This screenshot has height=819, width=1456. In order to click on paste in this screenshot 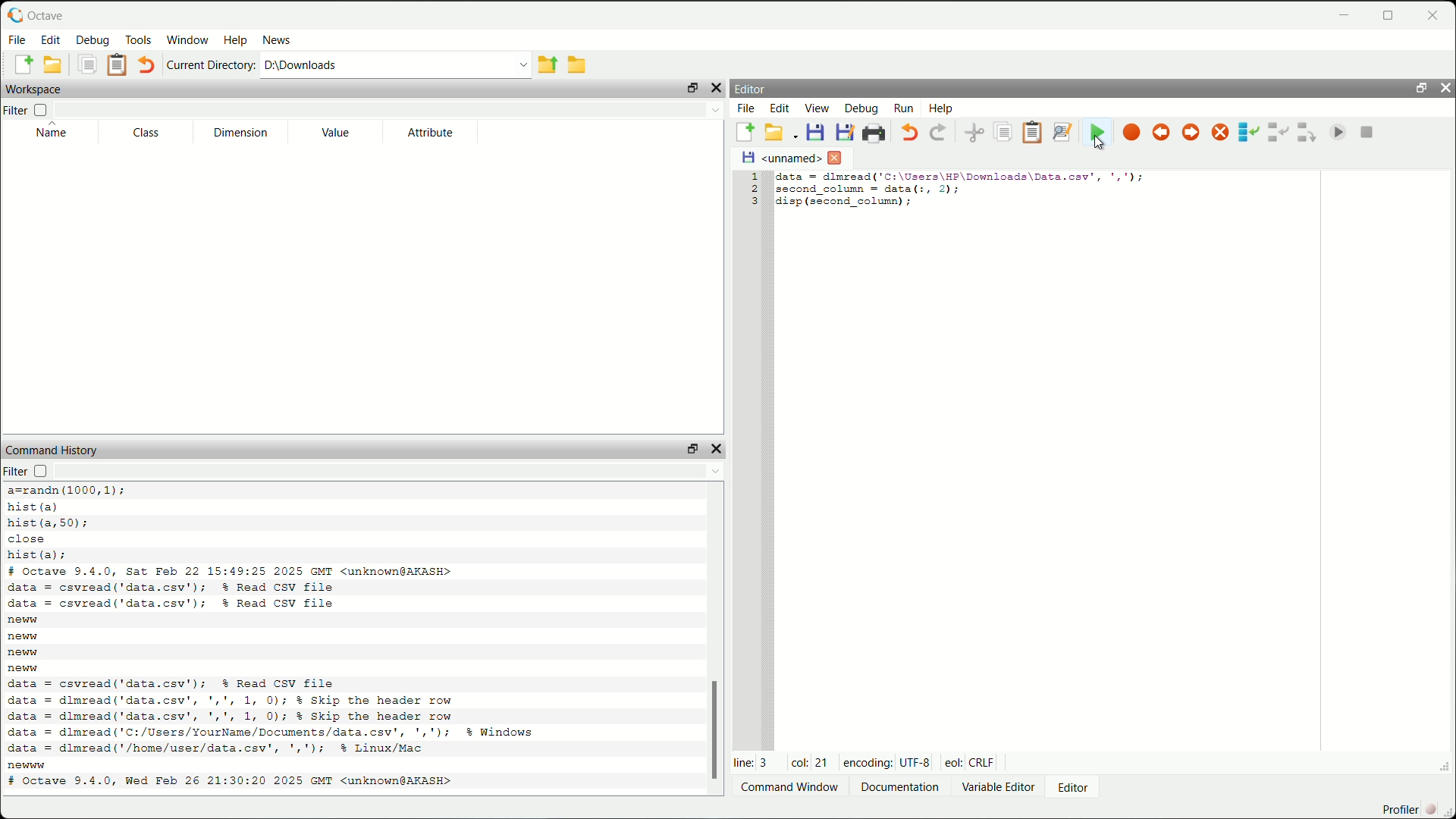, I will do `click(1032, 132)`.